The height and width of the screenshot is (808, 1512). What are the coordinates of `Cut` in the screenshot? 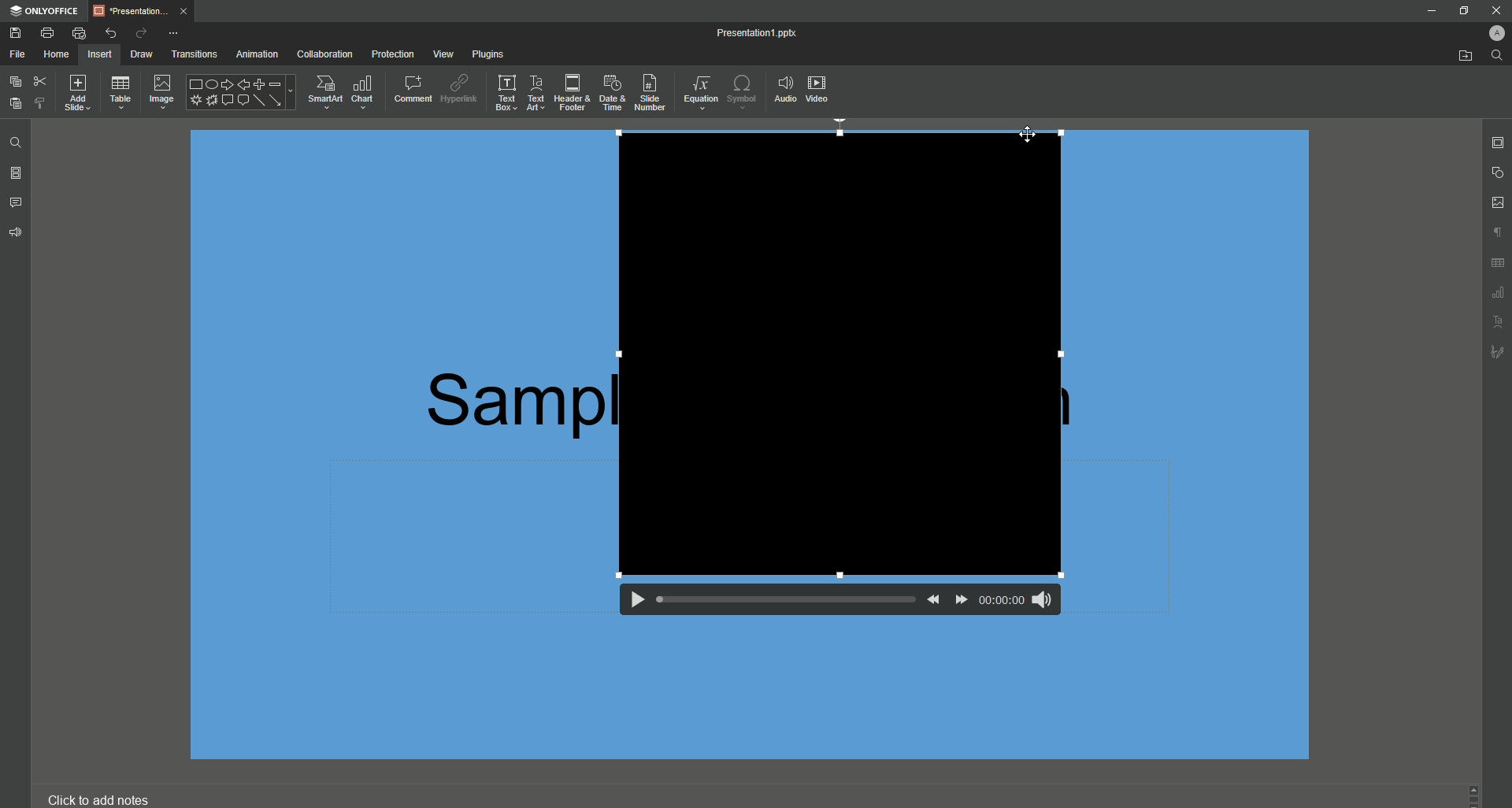 It's located at (39, 80).